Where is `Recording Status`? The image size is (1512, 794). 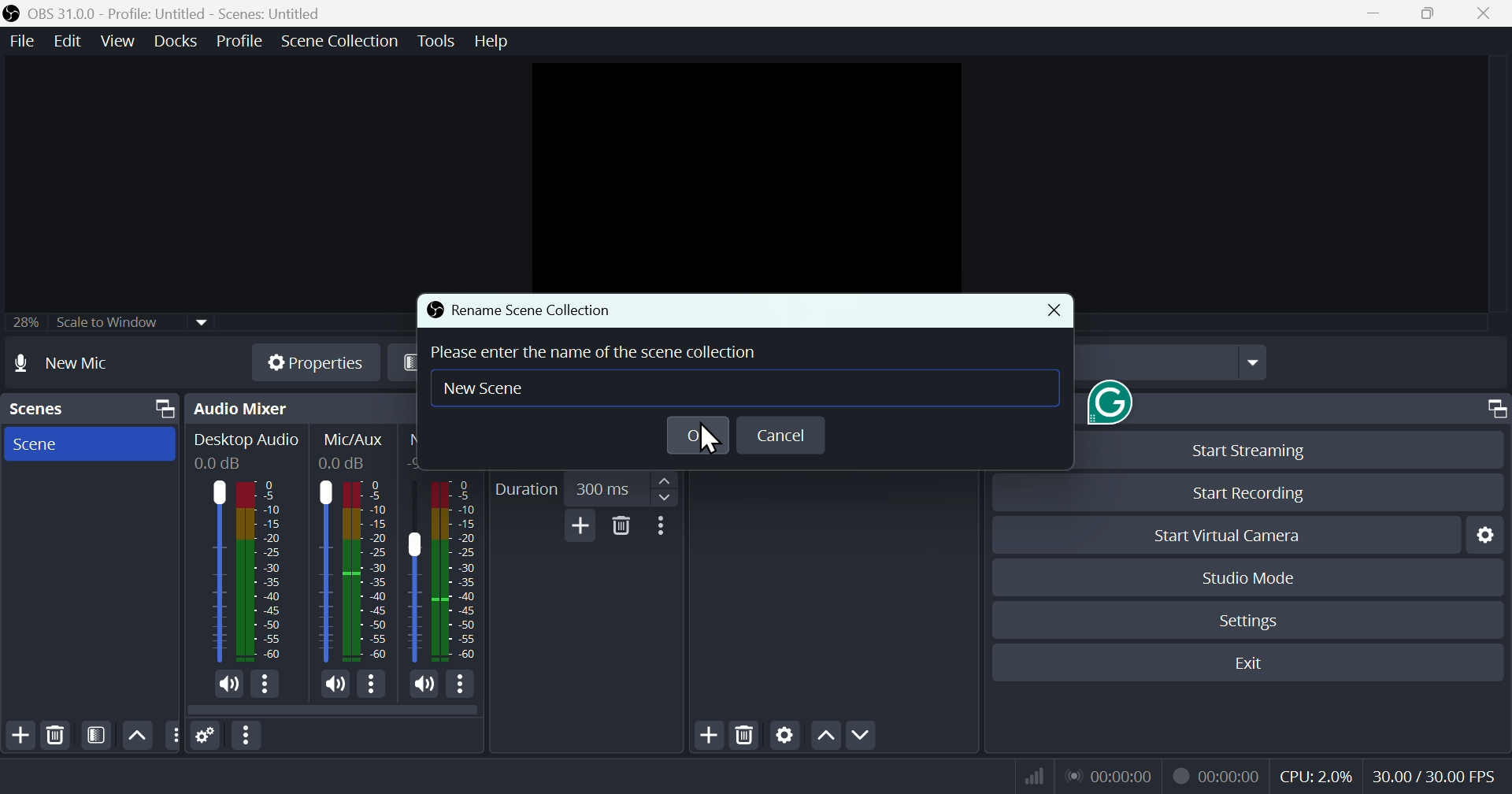
Recording Status is located at coordinates (1215, 776).